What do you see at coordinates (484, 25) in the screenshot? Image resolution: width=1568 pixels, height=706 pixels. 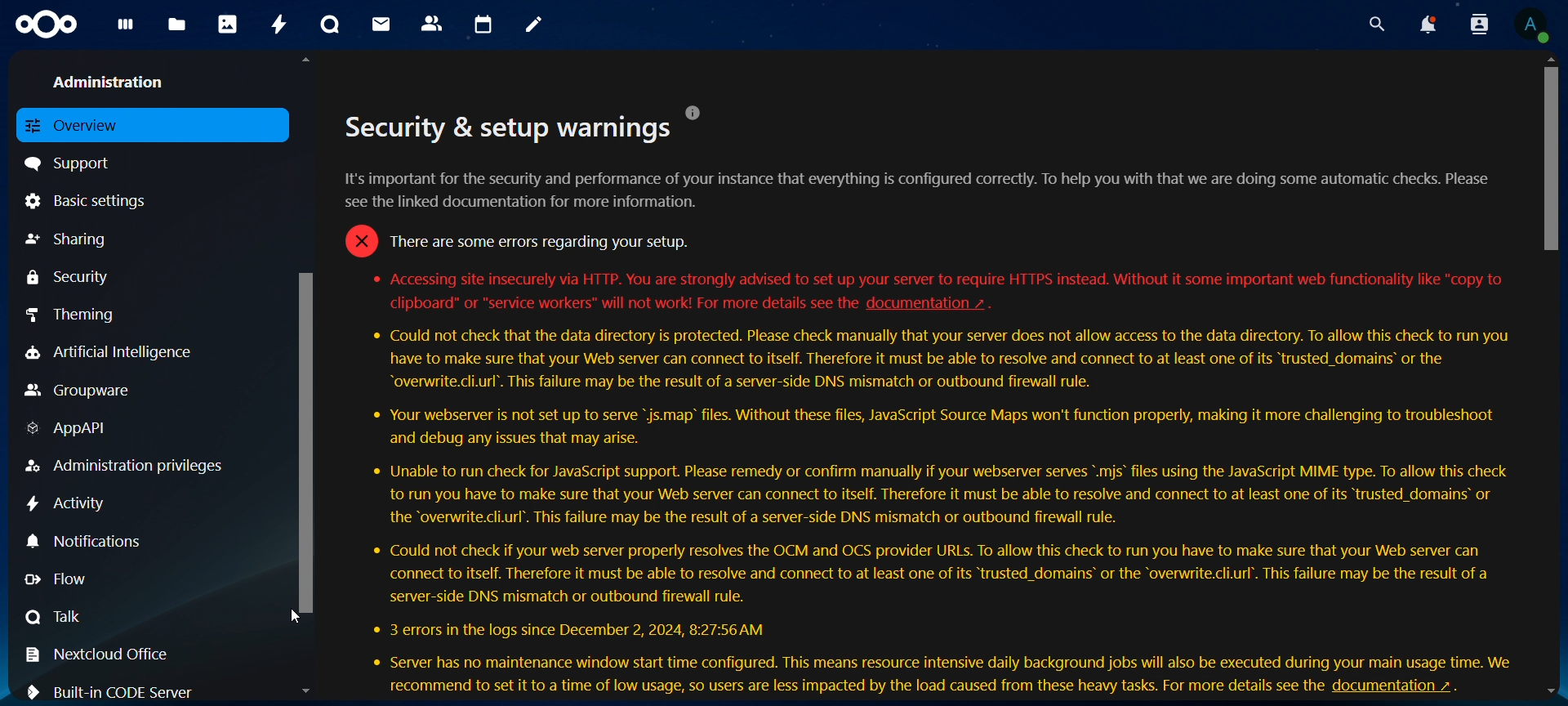 I see `calendar` at bounding box center [484, 25].